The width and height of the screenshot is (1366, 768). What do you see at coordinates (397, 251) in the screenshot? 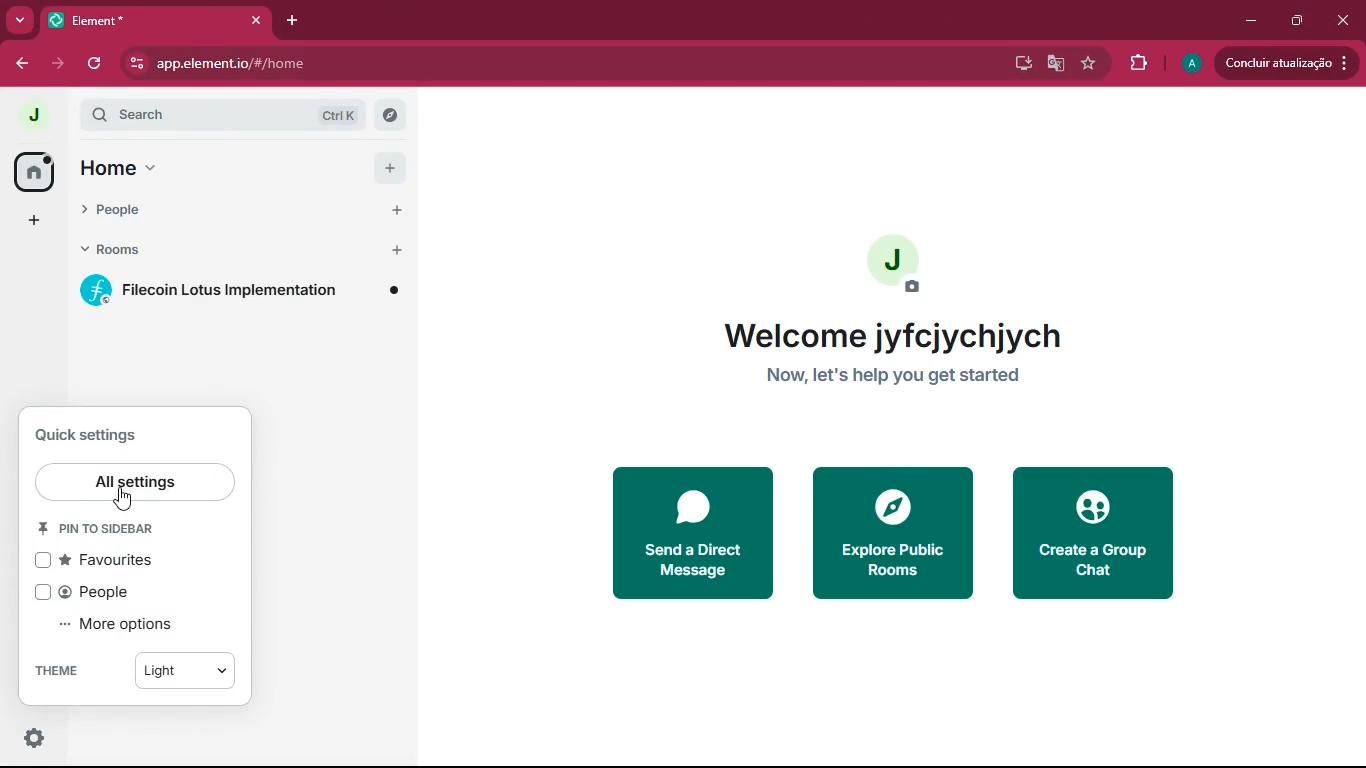
I see `Add` at bounding box center [397, 251].